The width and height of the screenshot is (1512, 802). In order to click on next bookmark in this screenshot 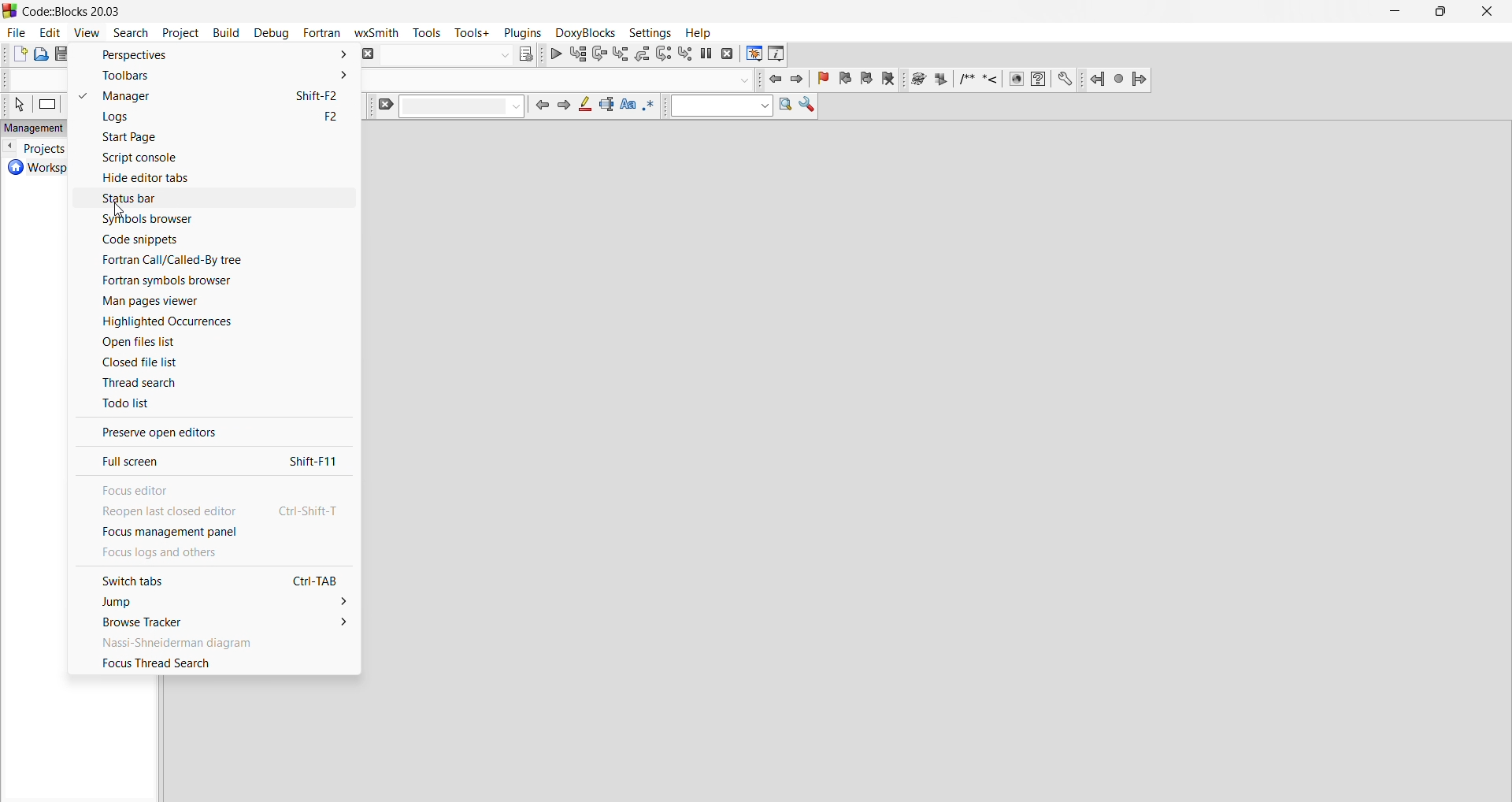, I will do `click(866, 81)`.